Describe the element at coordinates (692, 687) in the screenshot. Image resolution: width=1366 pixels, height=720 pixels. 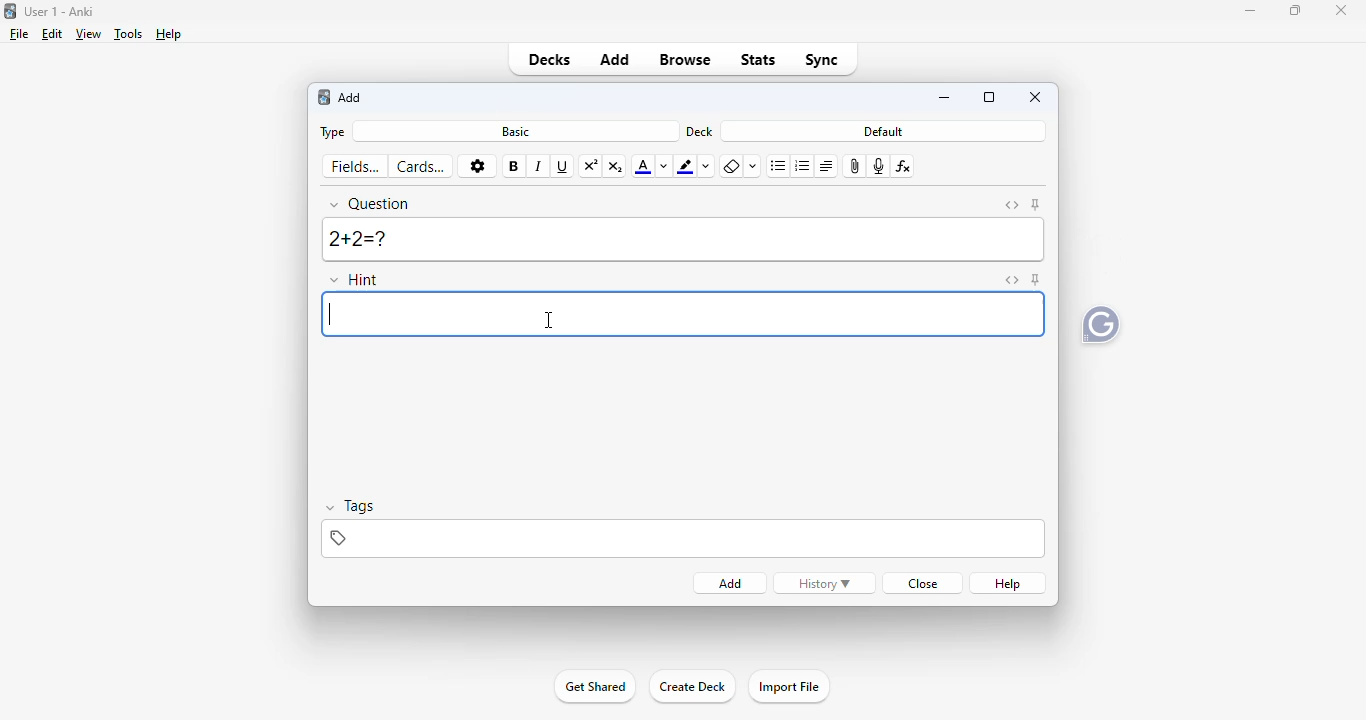
I see `create deck` at that location.